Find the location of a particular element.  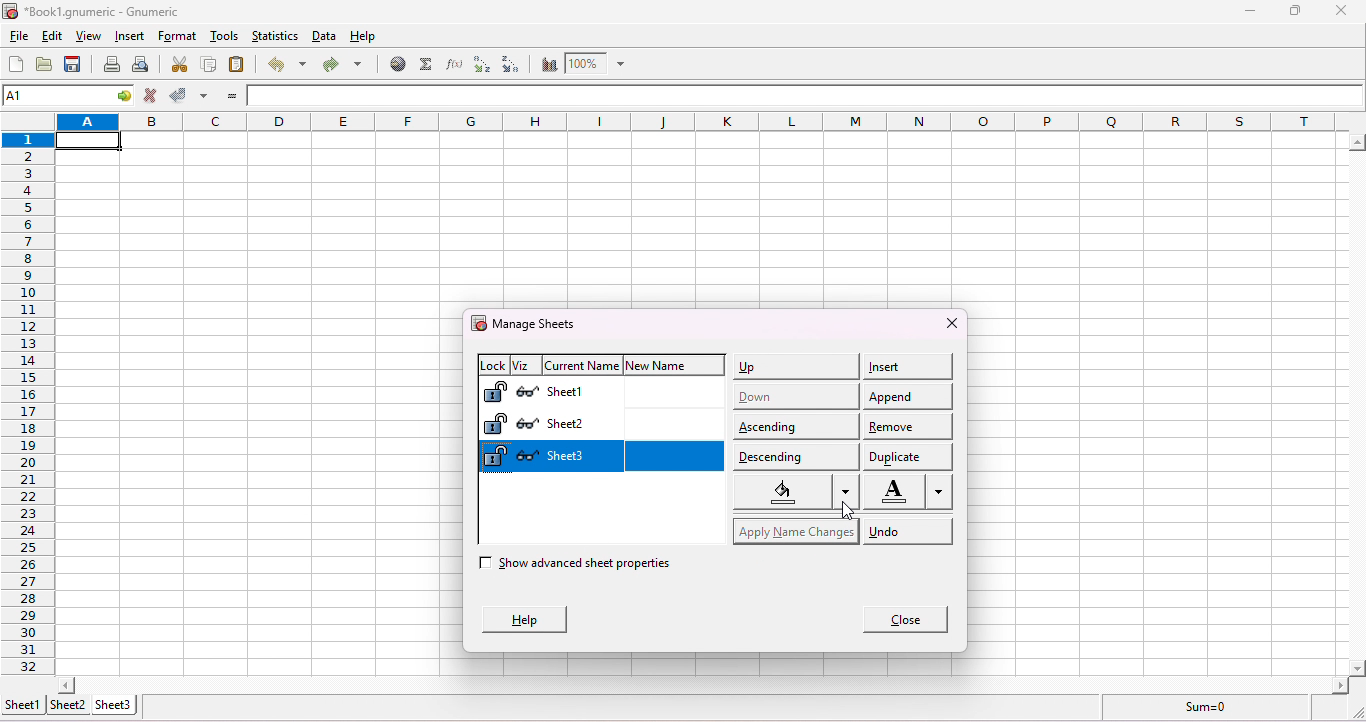

Lock sheet 3 is located at coordinates (493, 456).